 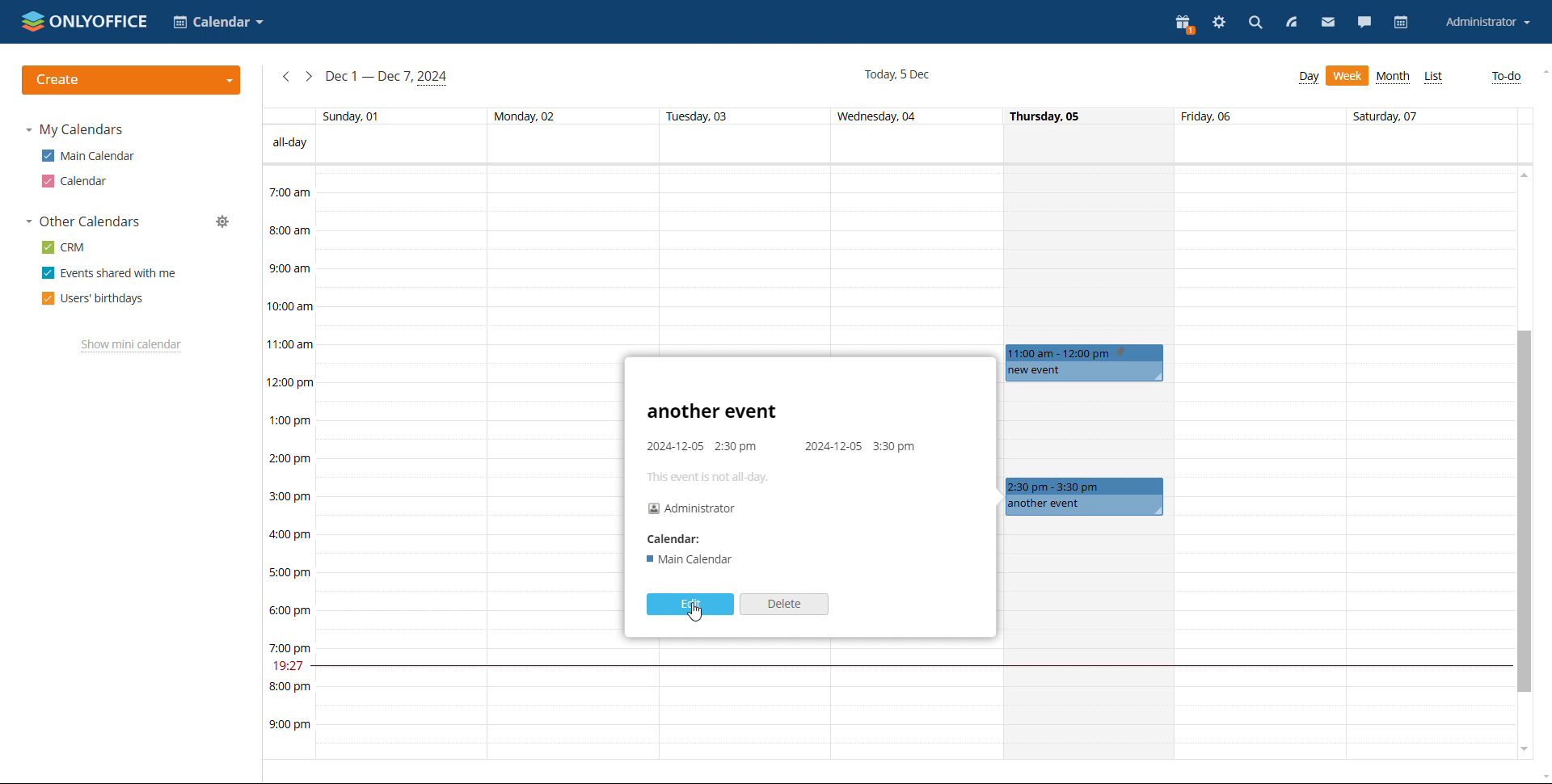 What do you see at coordinates (1309, 78) in the screenshot?
I see `week view` at bounding box center [1309, 78].